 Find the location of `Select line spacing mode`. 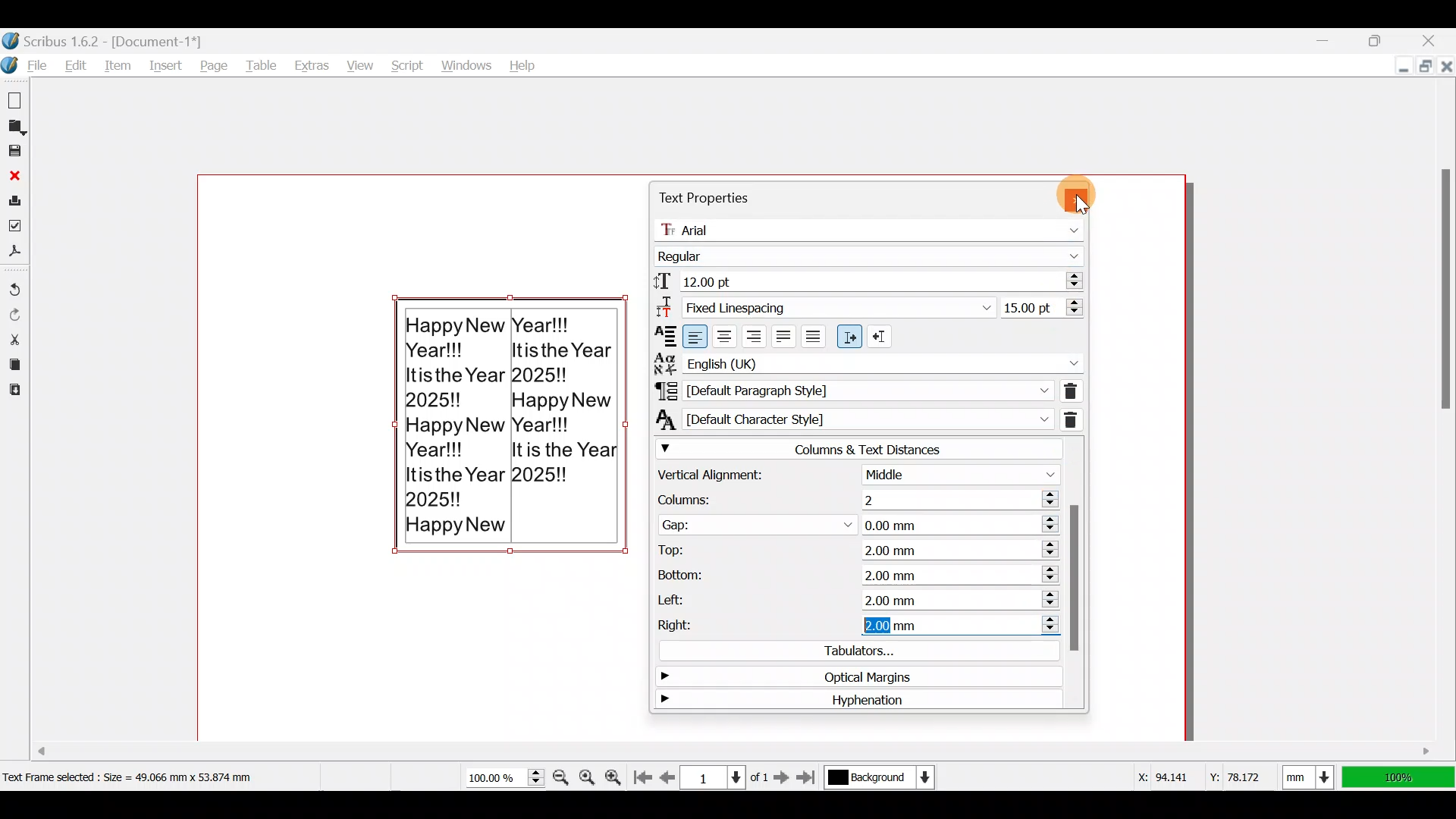

Select line spacing mode is located at coordinates (821, 306).